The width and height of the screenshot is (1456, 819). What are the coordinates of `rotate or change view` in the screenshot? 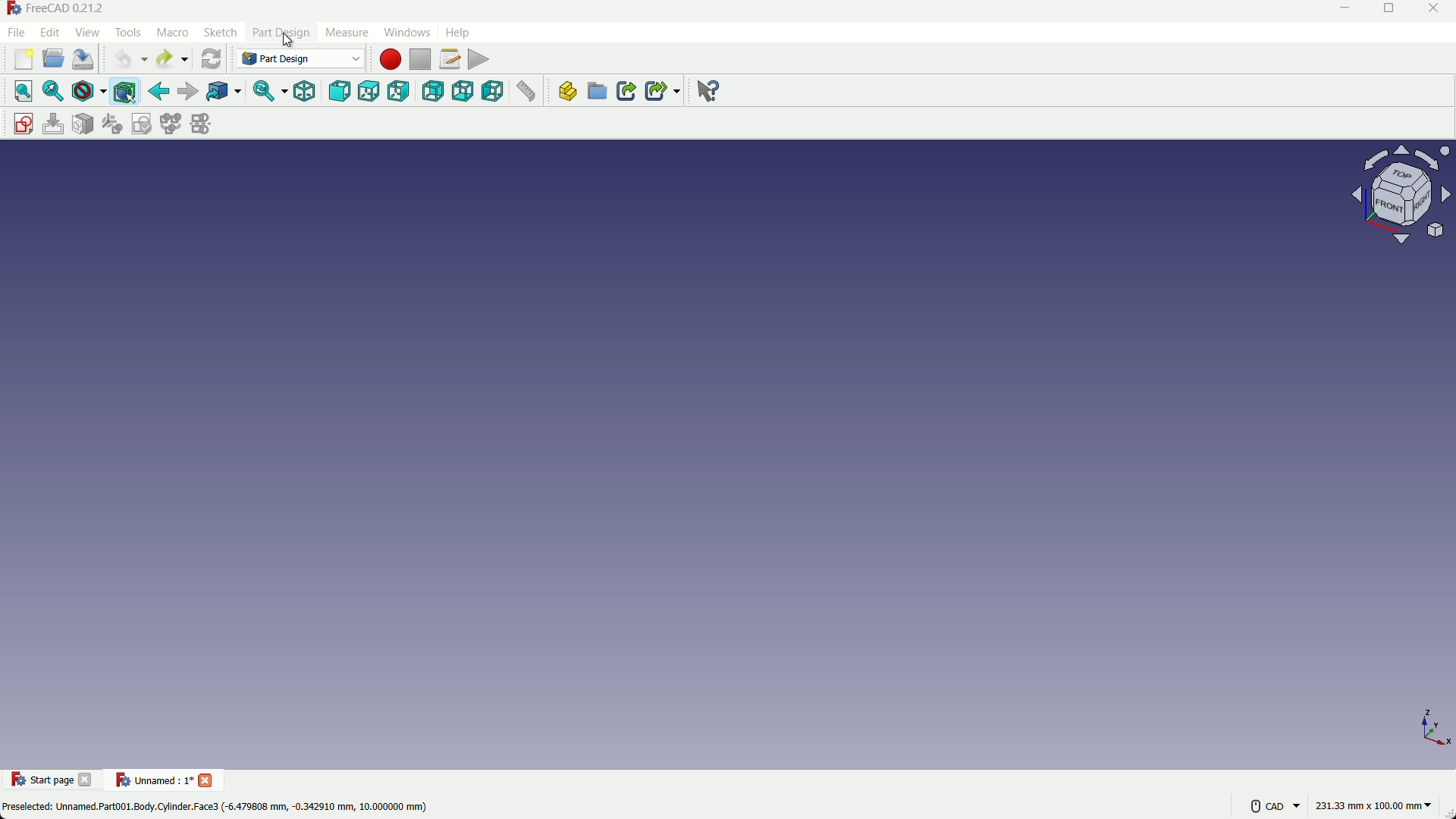 It's located at (1400, 194).